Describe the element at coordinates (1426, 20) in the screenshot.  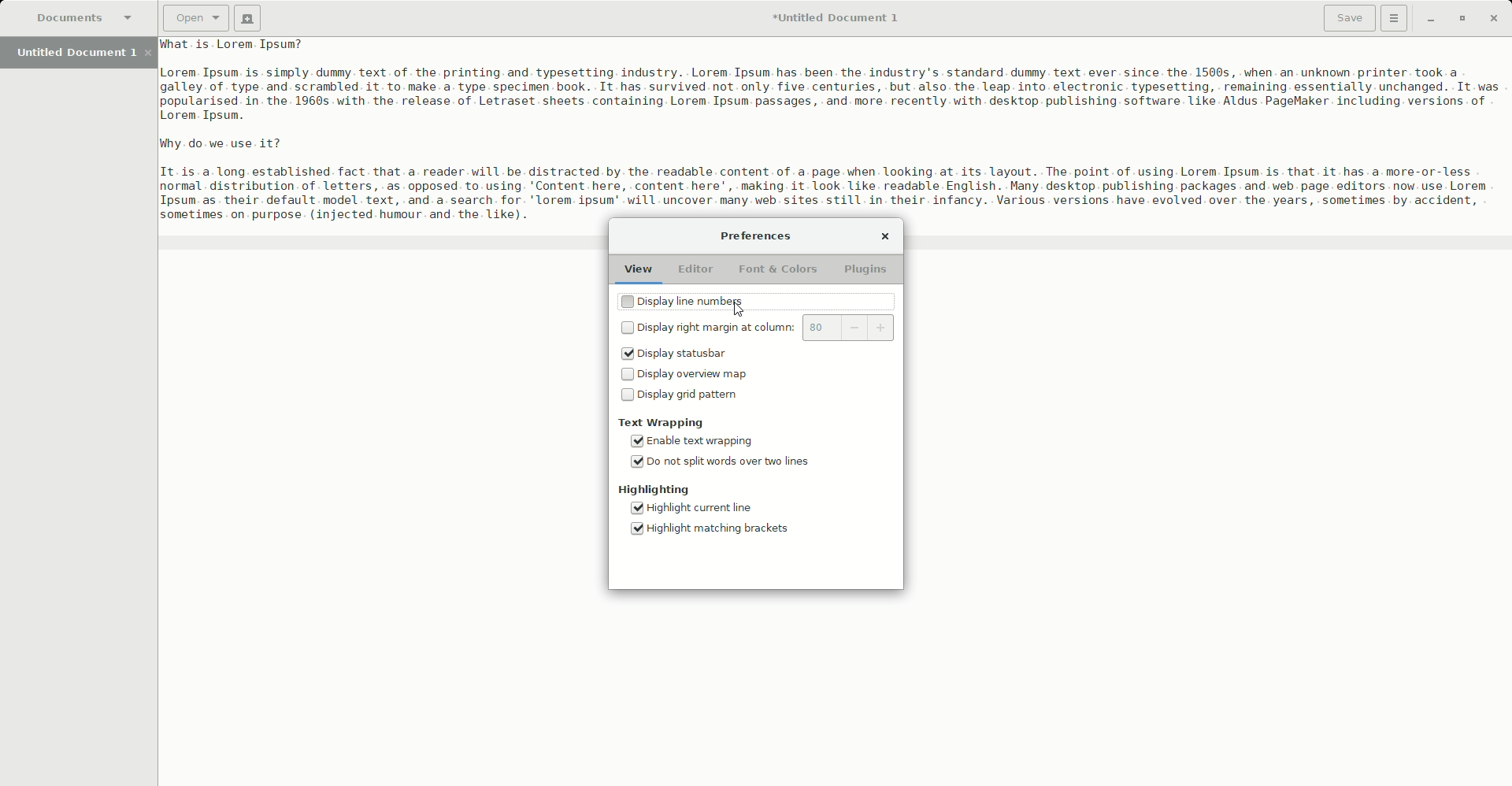
I see `Minimize` at that location.